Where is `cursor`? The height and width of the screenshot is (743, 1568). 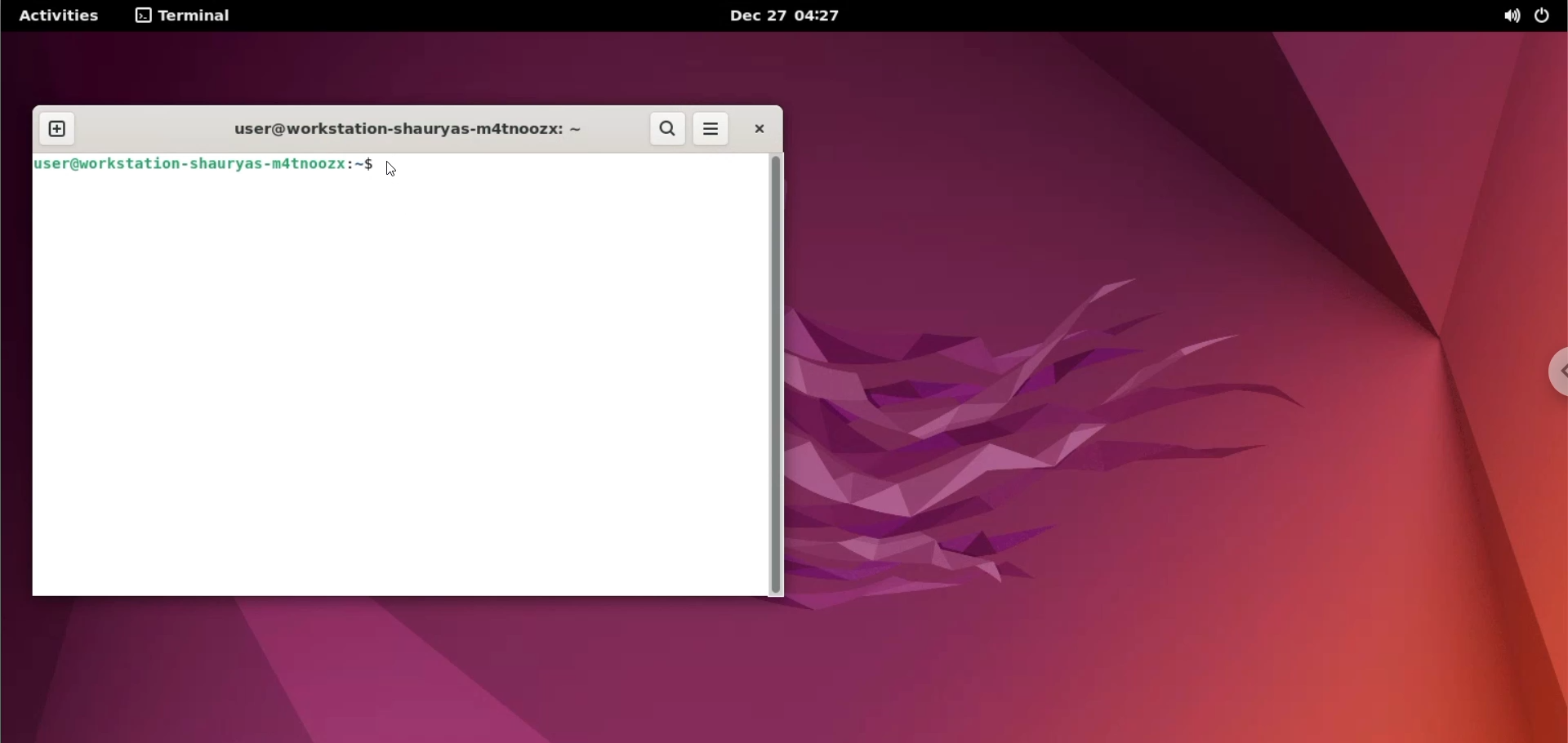
cursor is located at coordinates (391, 171).